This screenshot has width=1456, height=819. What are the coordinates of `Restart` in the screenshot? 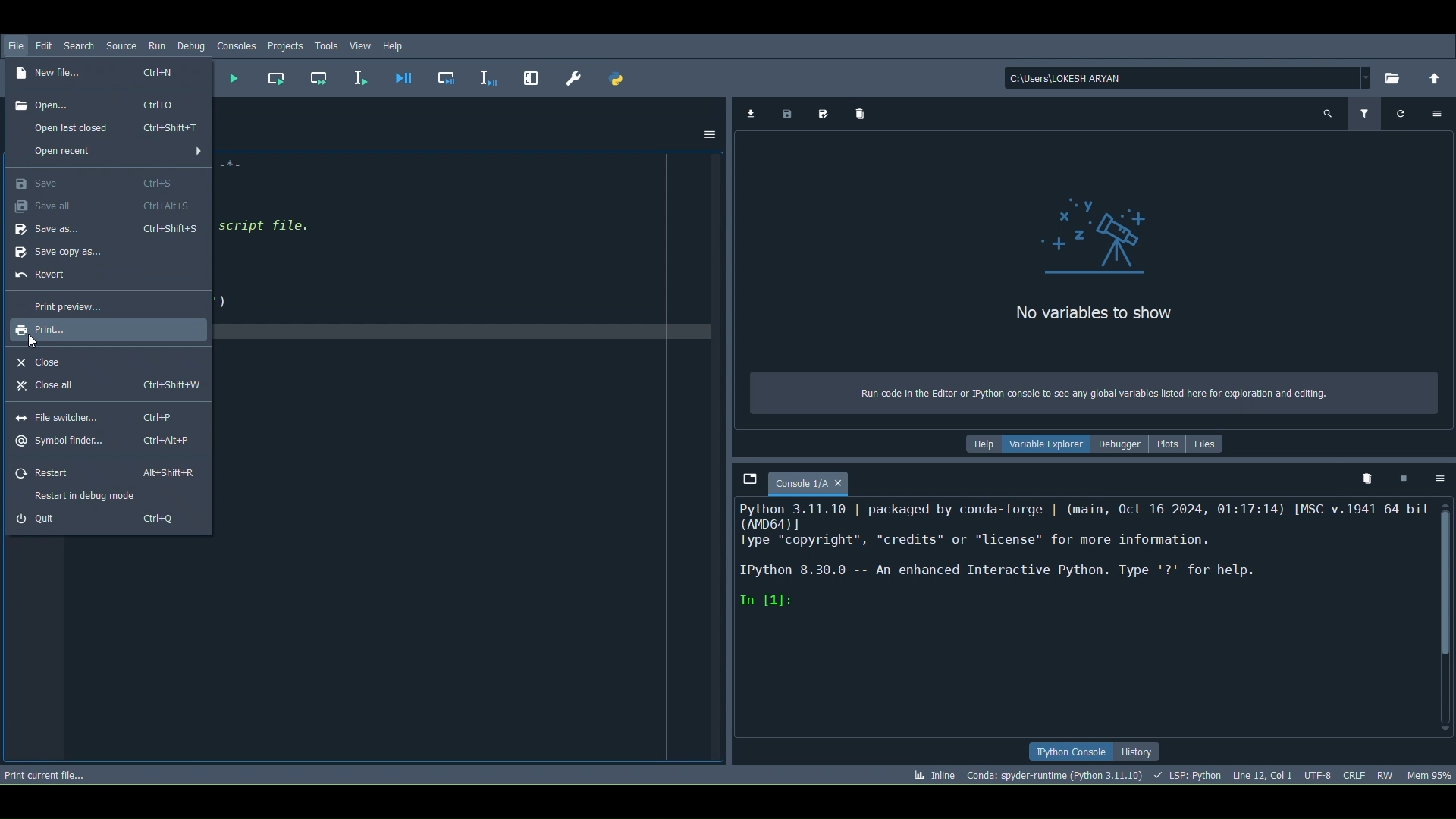 It's located at (105, 472).